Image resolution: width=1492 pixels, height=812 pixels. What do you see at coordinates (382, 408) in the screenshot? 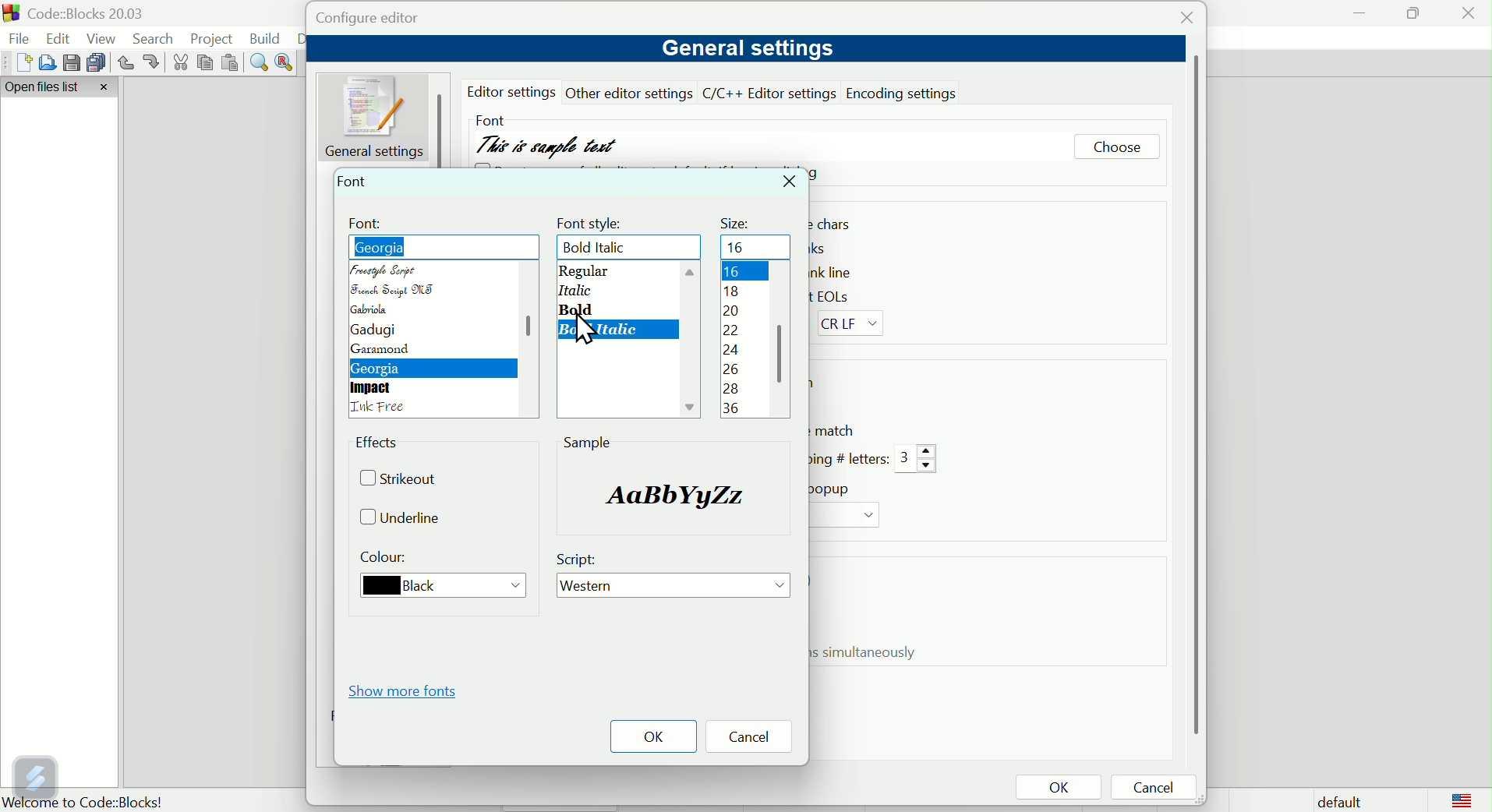
I see `language` at bounding box center [382, 408].